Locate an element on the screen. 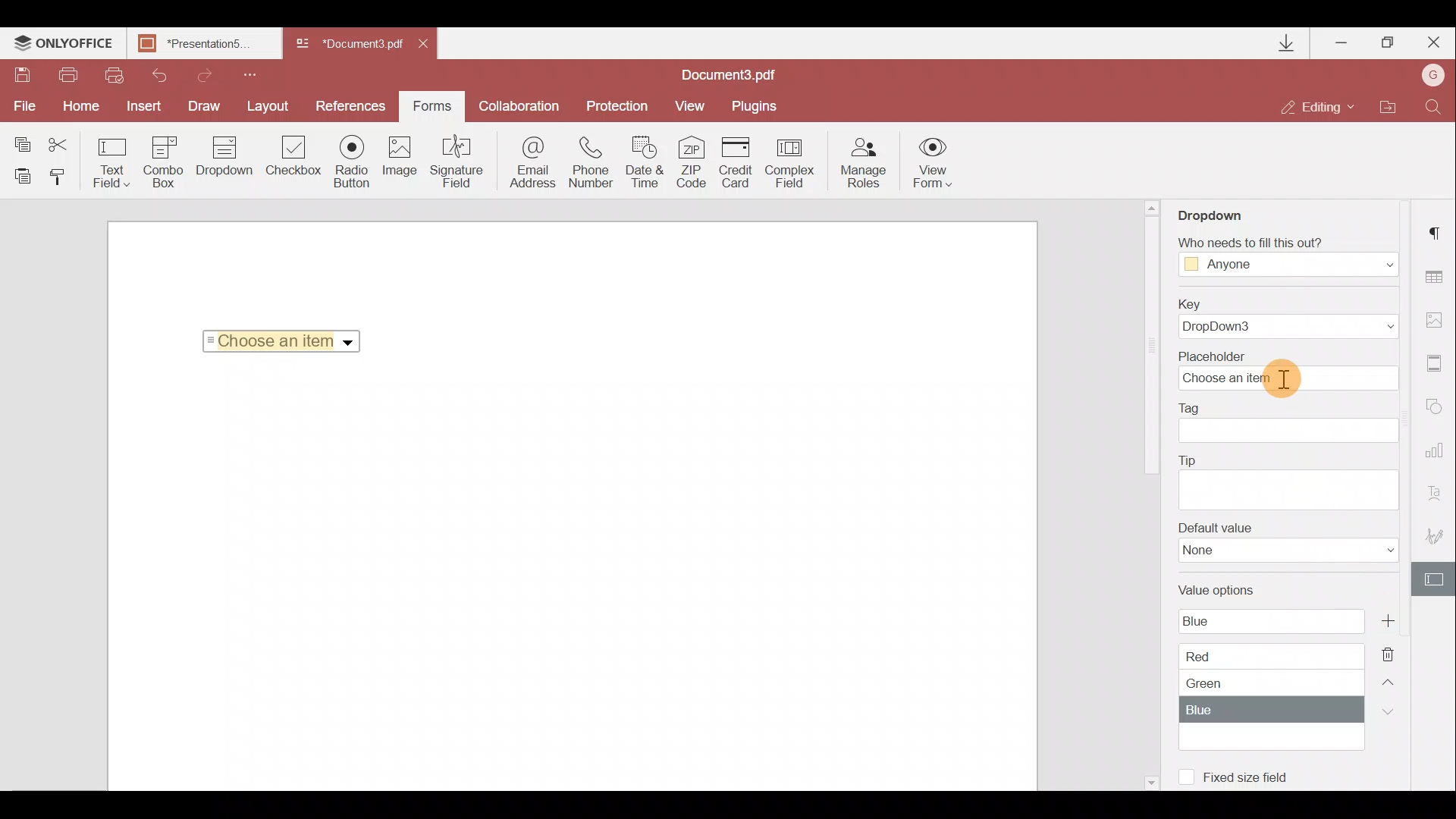 The width and height of the screenshot is (1456, 819). Form settings is located at coordinates (1434, 578).